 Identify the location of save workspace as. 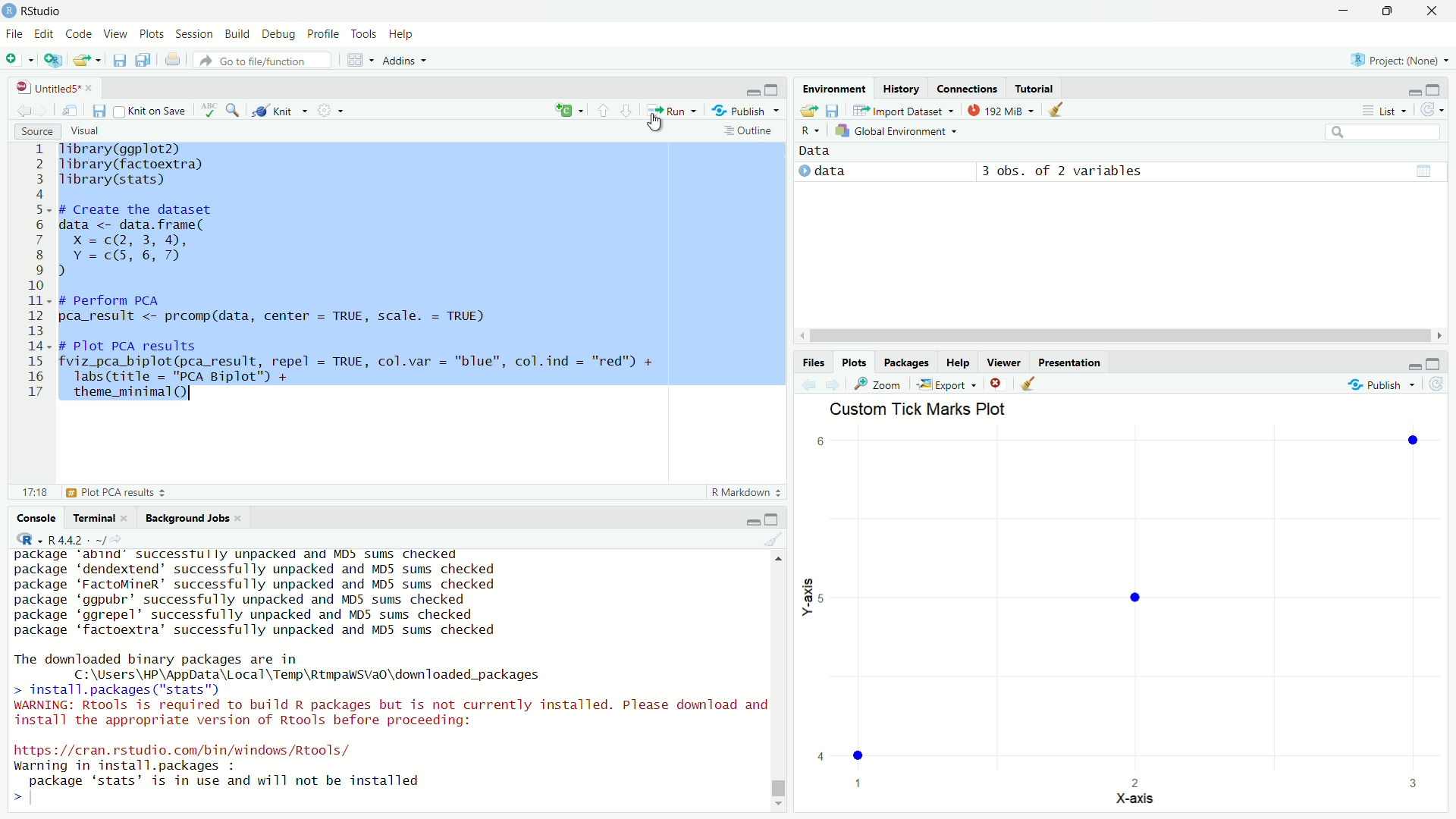
(835, 108).